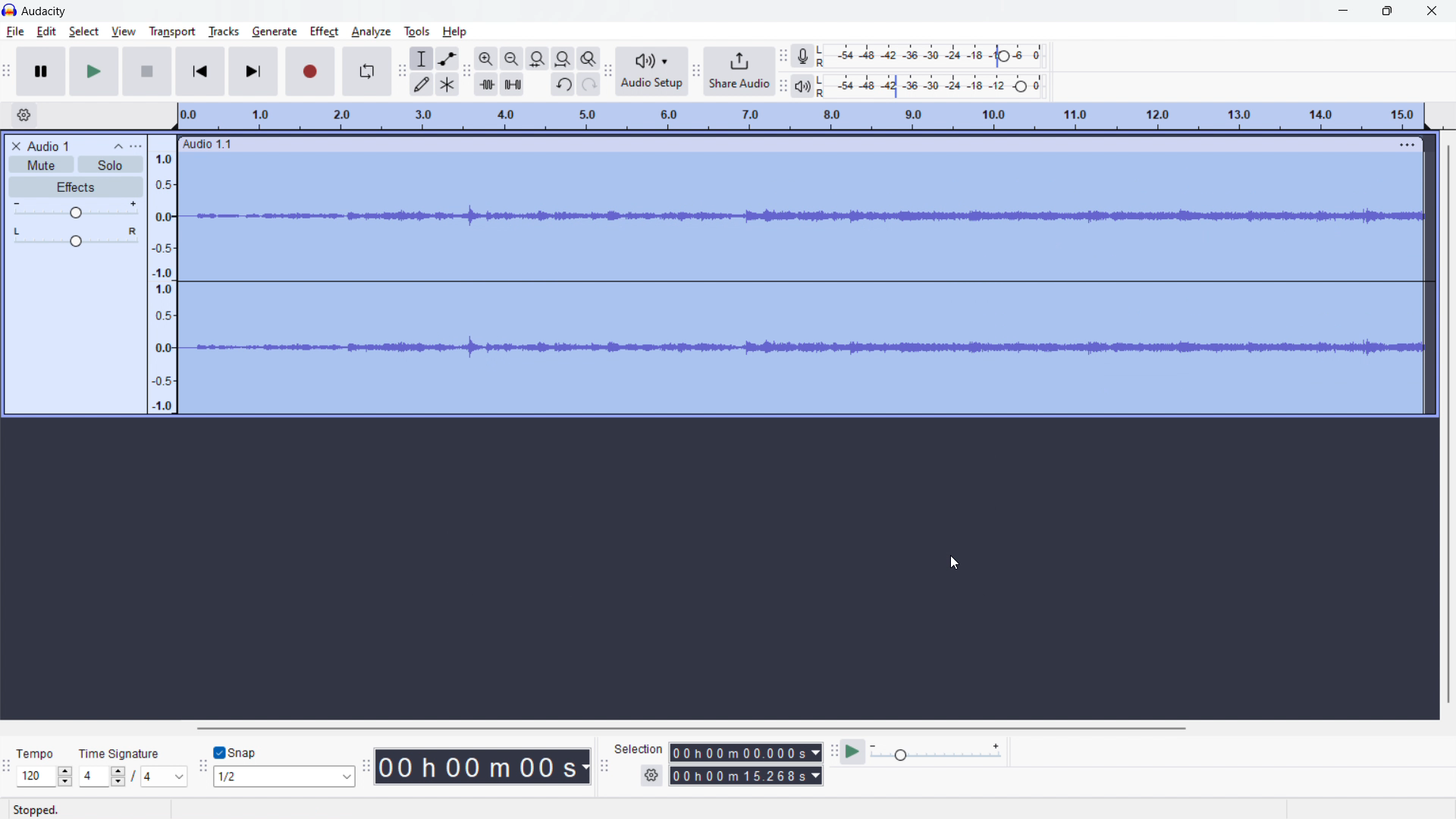 The height and width of the screenshot is (819, 1456). I want to click on 00h00m00.000s (start time), so click(745, 748).